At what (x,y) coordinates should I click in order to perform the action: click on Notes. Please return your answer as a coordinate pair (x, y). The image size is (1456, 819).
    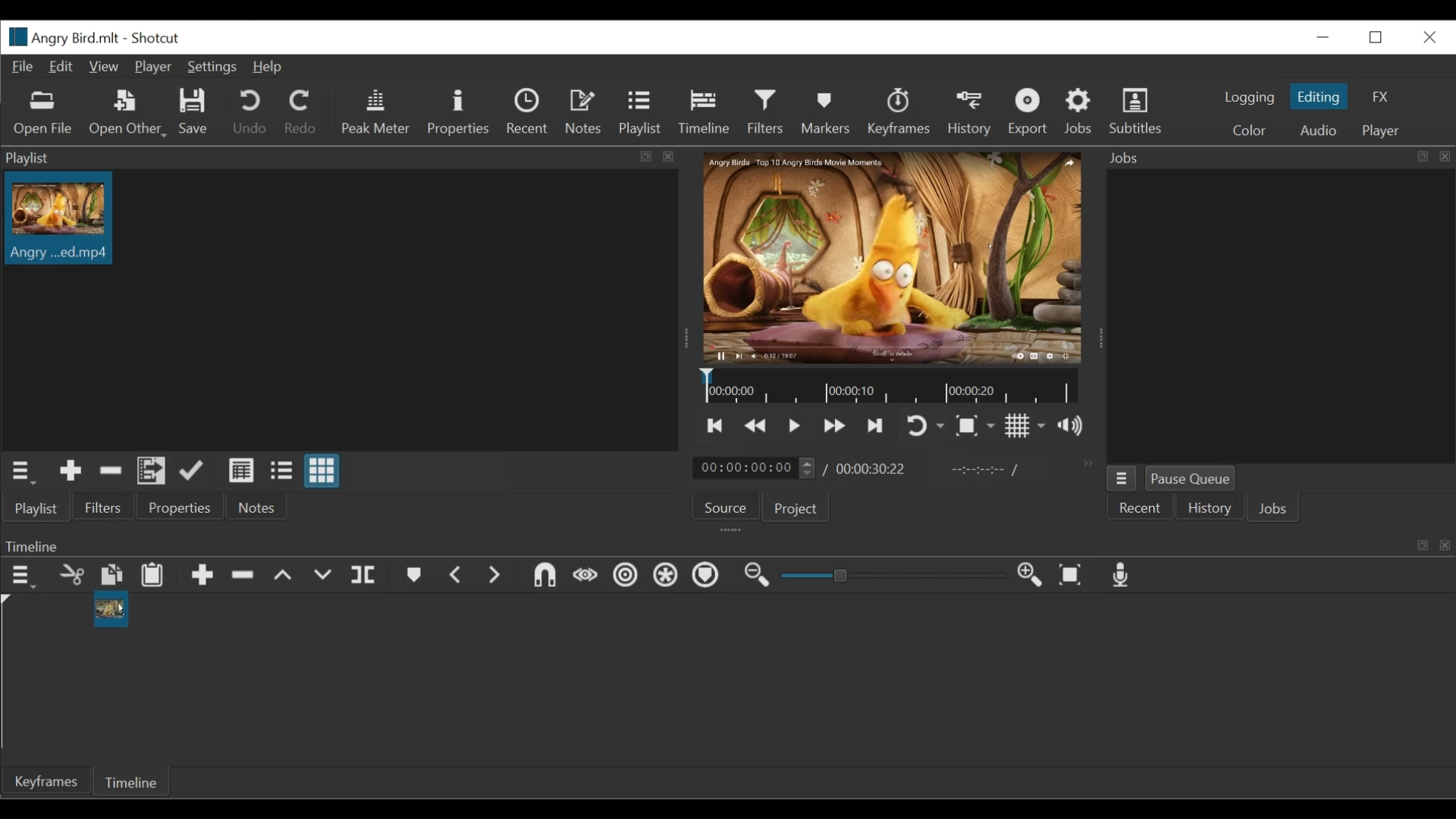
    Looking at the image, I should click on (252, 507).